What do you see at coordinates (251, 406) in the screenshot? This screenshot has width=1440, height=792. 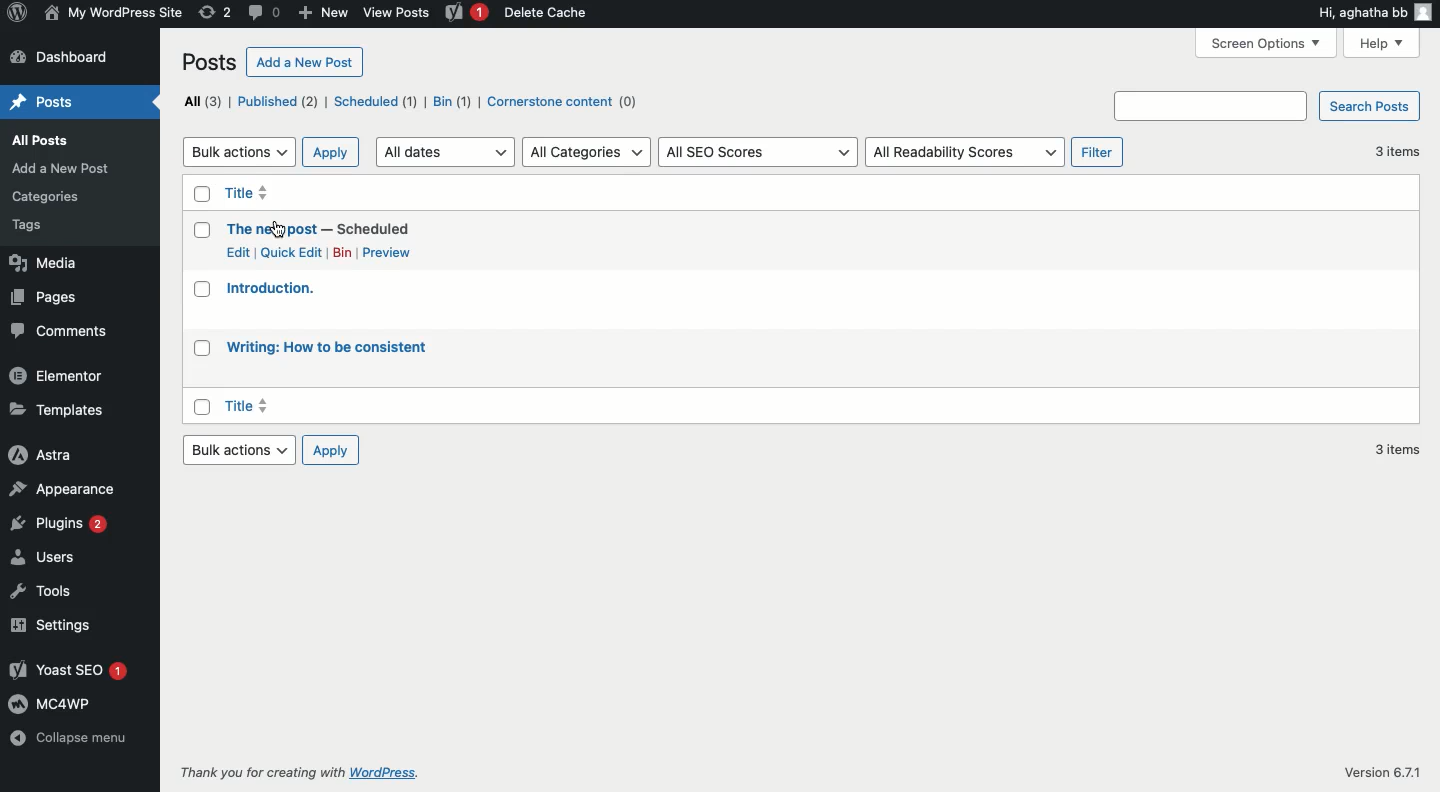 I see `Title` at bounding box center [251, 406].